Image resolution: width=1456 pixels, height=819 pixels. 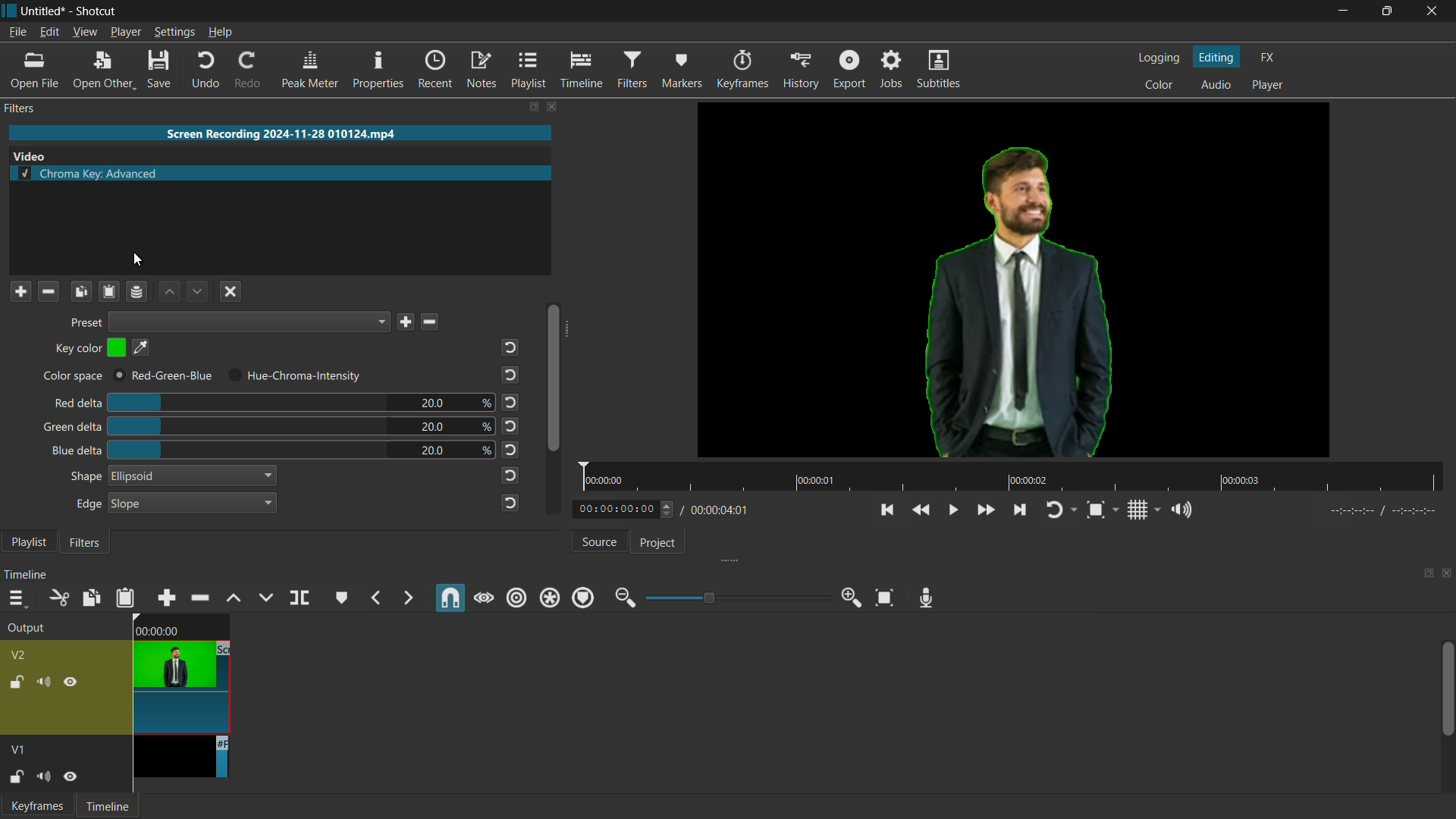 I want to click on lock, so click(x=16, y=778).